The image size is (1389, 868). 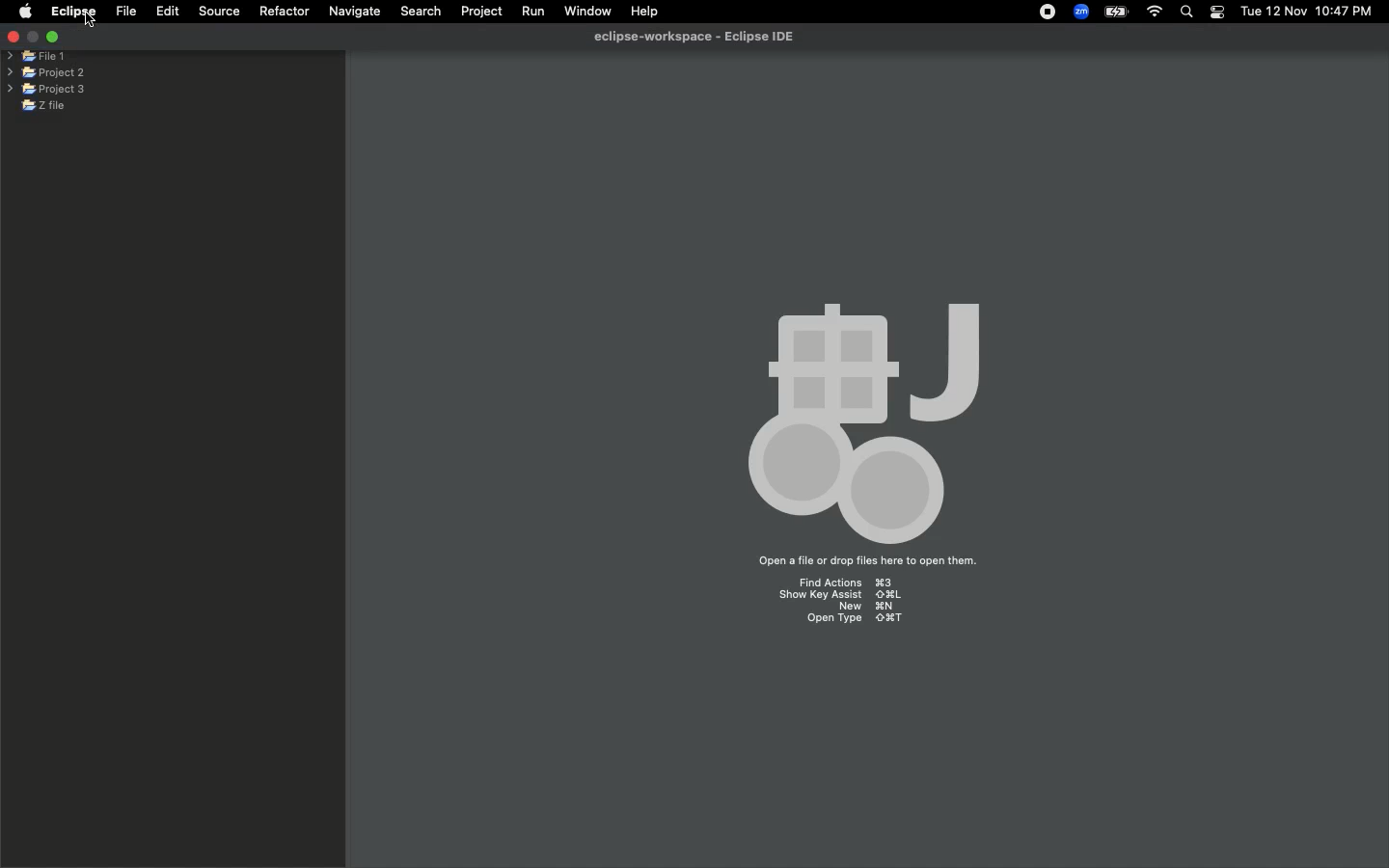 What do you see at coordinates (125, 11) in the screenshot?
I see `File` at bounding box center [125, 11].